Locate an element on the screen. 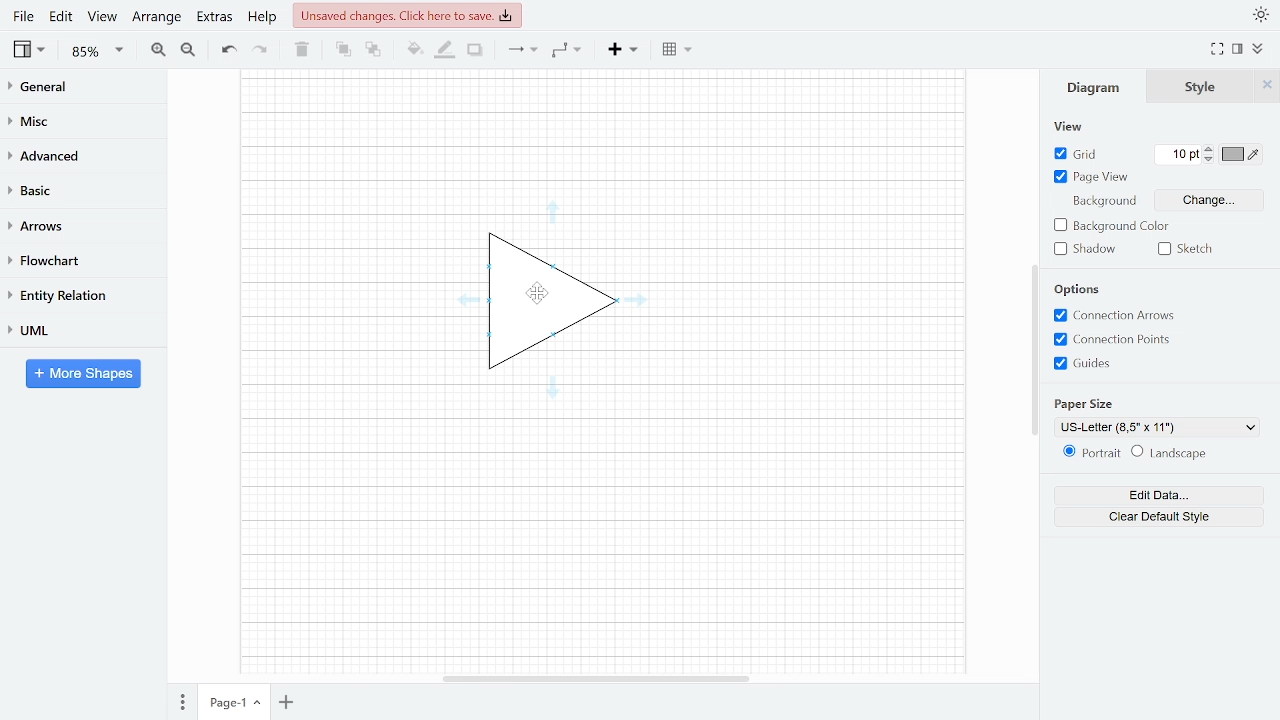  Table is located at coordinates (679, 48).